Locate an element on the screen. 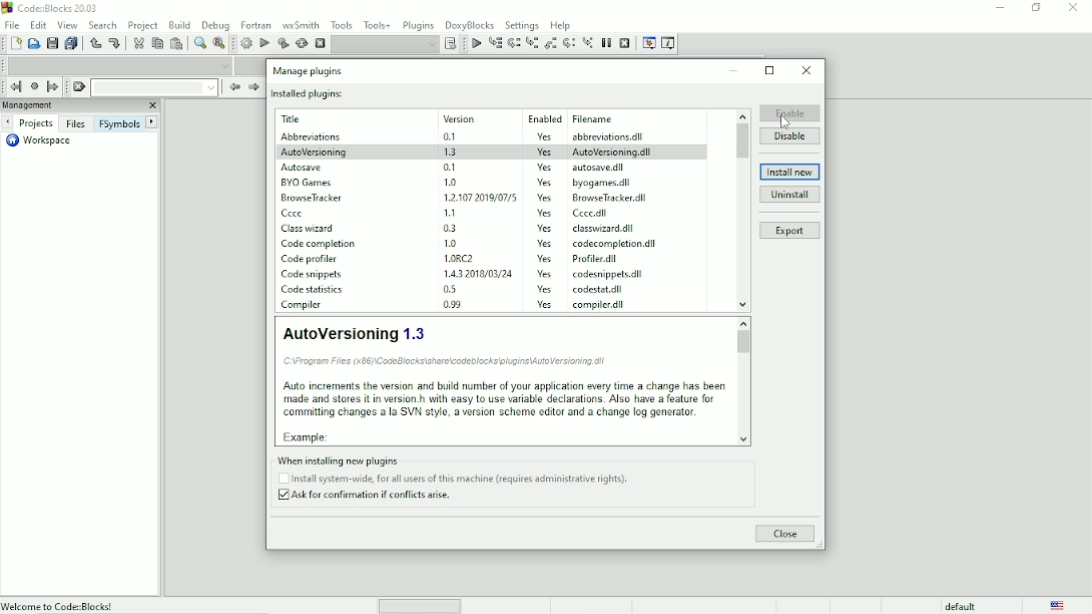 Image resolution: width=1092 pixels, height=614 pixels. Title is located at coordinates (319, 119).